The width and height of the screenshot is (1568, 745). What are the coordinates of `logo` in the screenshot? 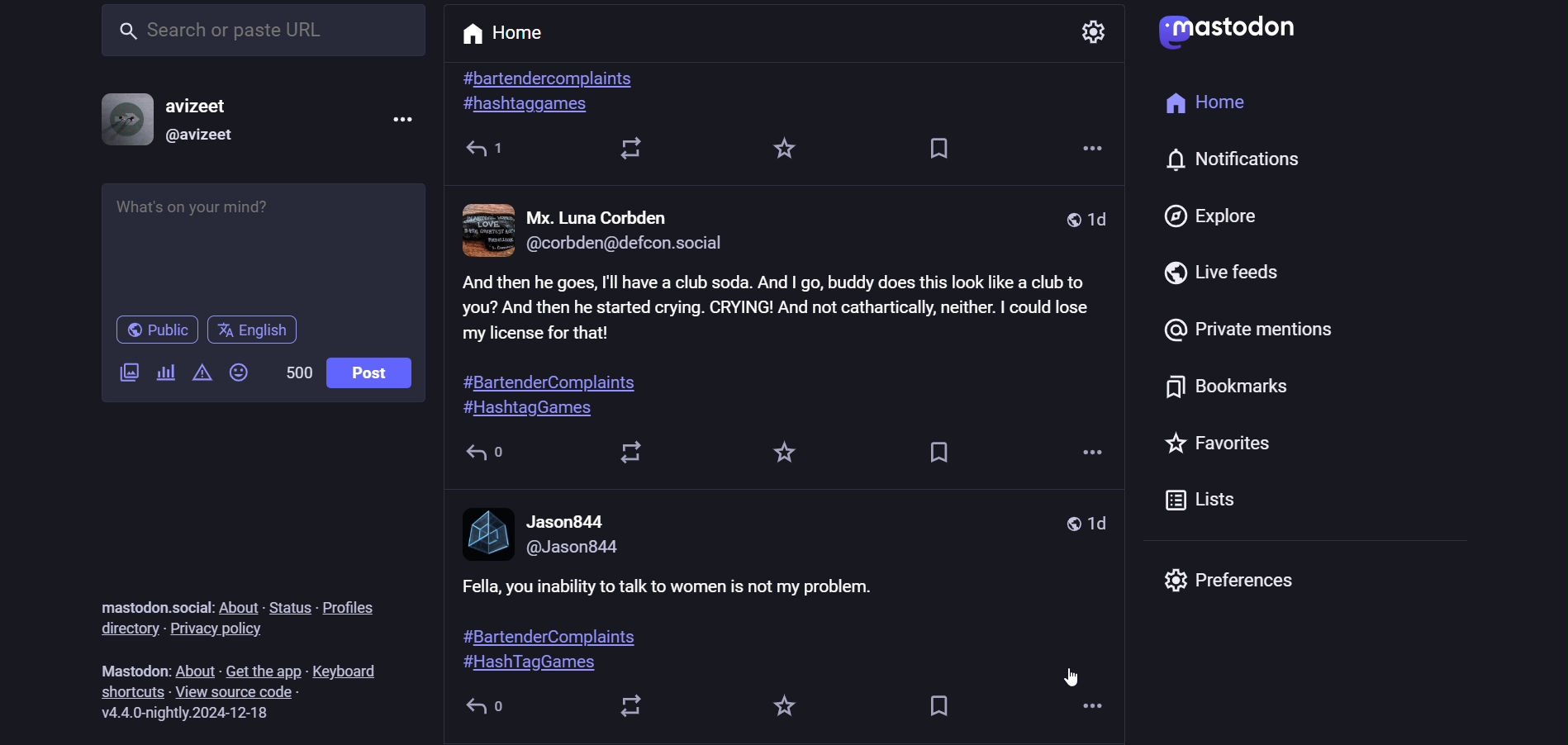 It's located at (1227, 31).